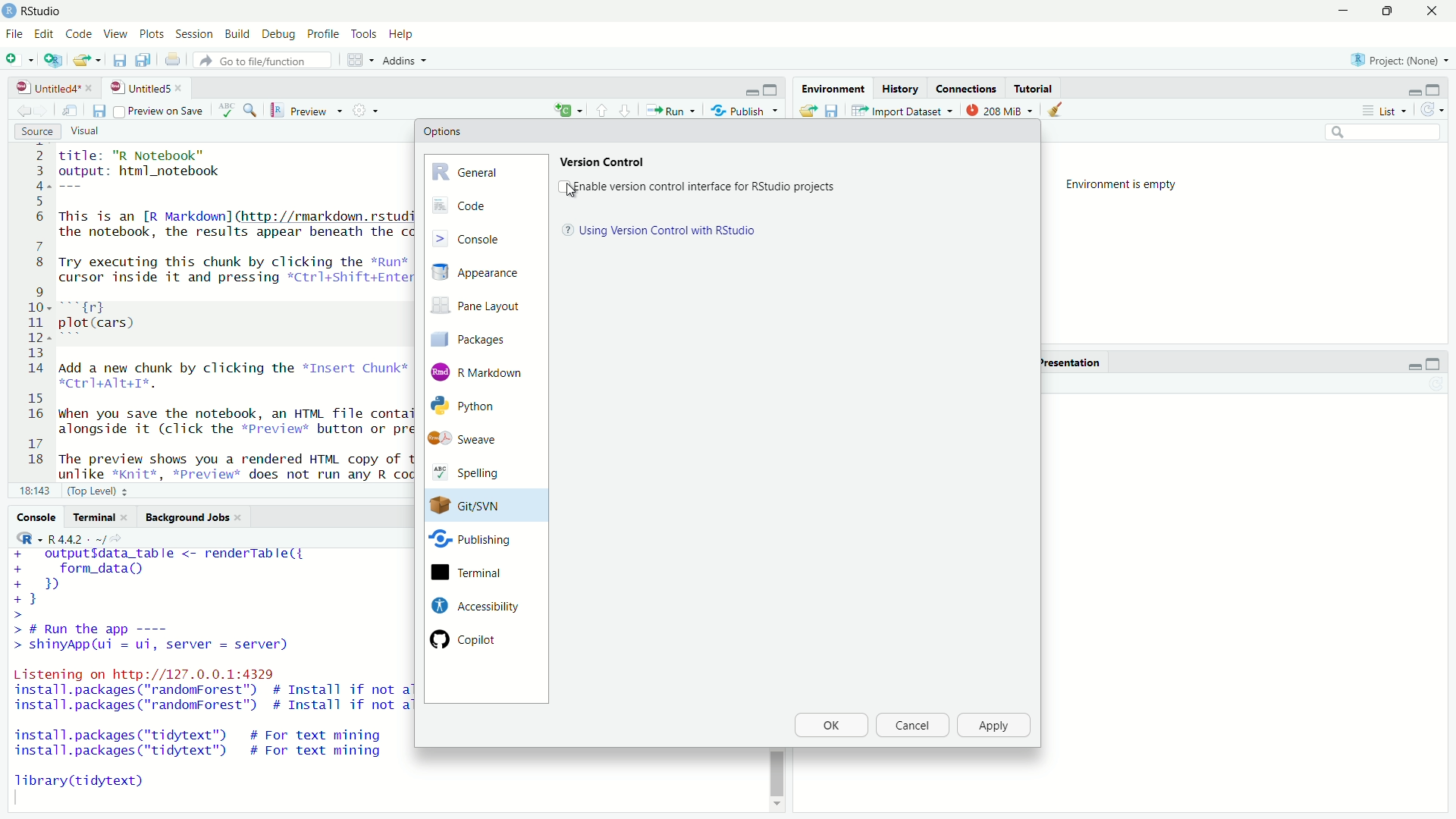 This screenshot has width=1456, height=819. I want to click on Enable version control interface for RStudio projects, so click(705, 187).